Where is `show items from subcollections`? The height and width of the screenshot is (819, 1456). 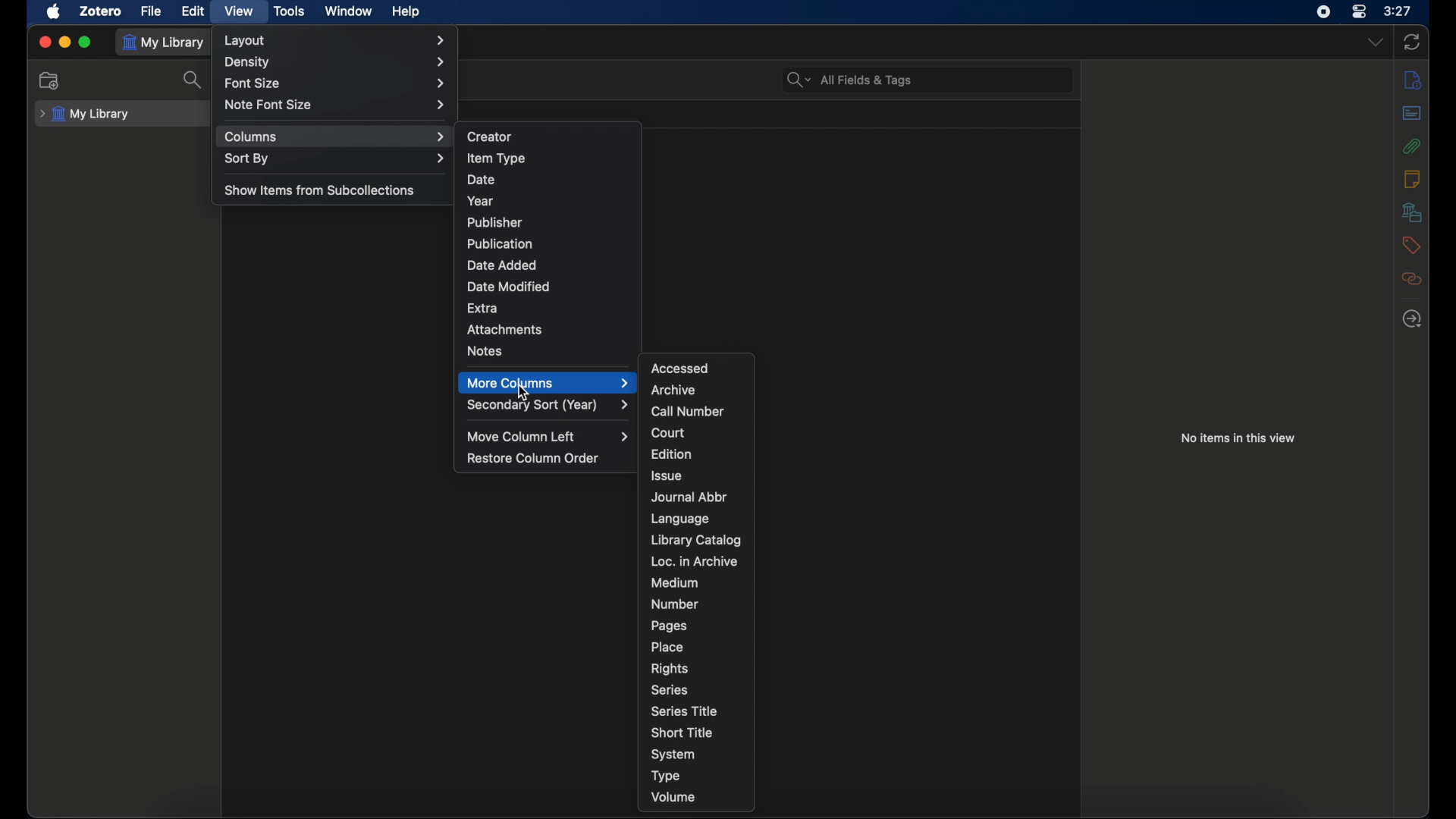
show items from subcollections is located at coordinates (320, 190).